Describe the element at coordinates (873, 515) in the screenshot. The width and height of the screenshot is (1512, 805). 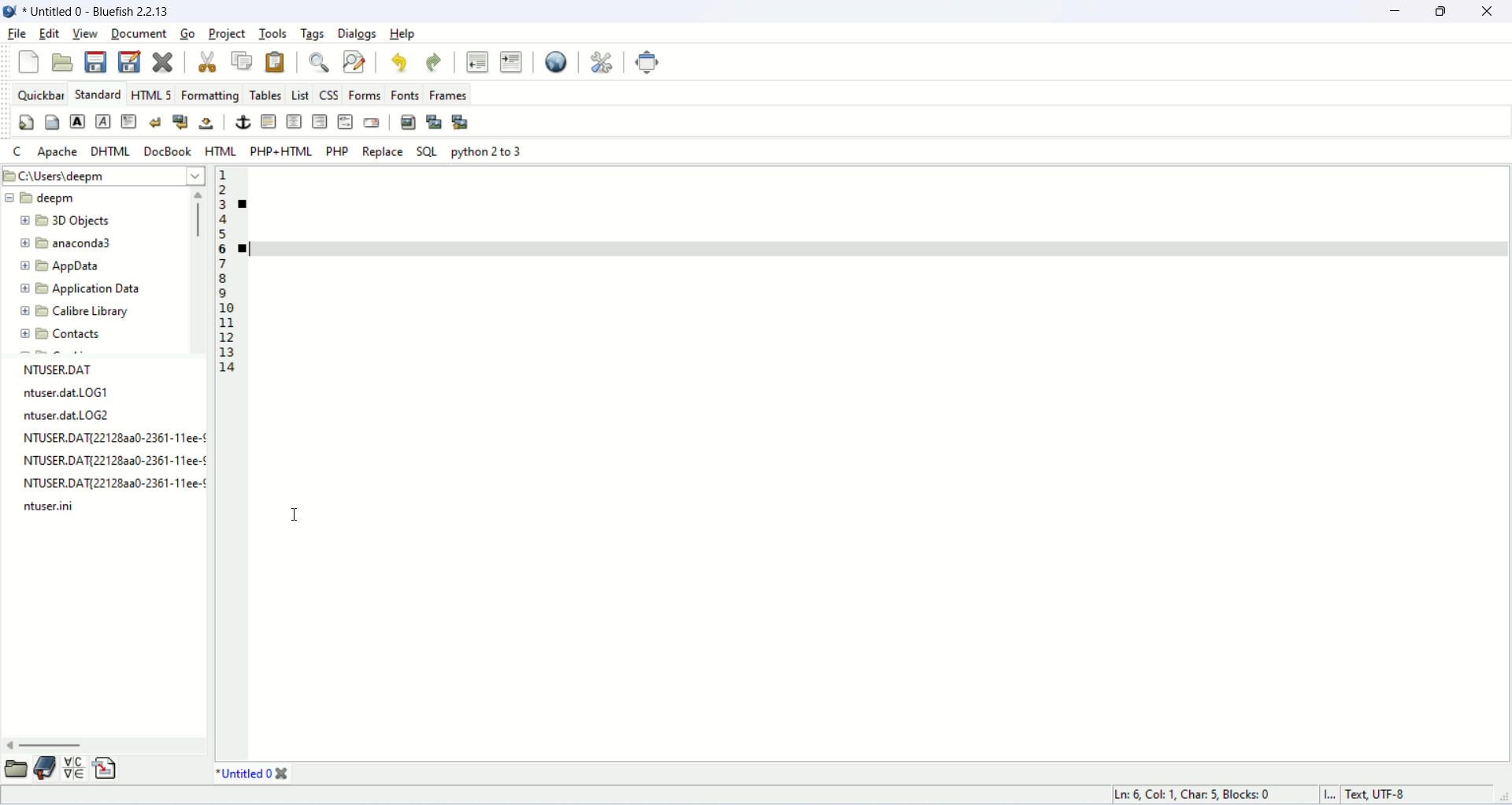
I see `editor` at that location.